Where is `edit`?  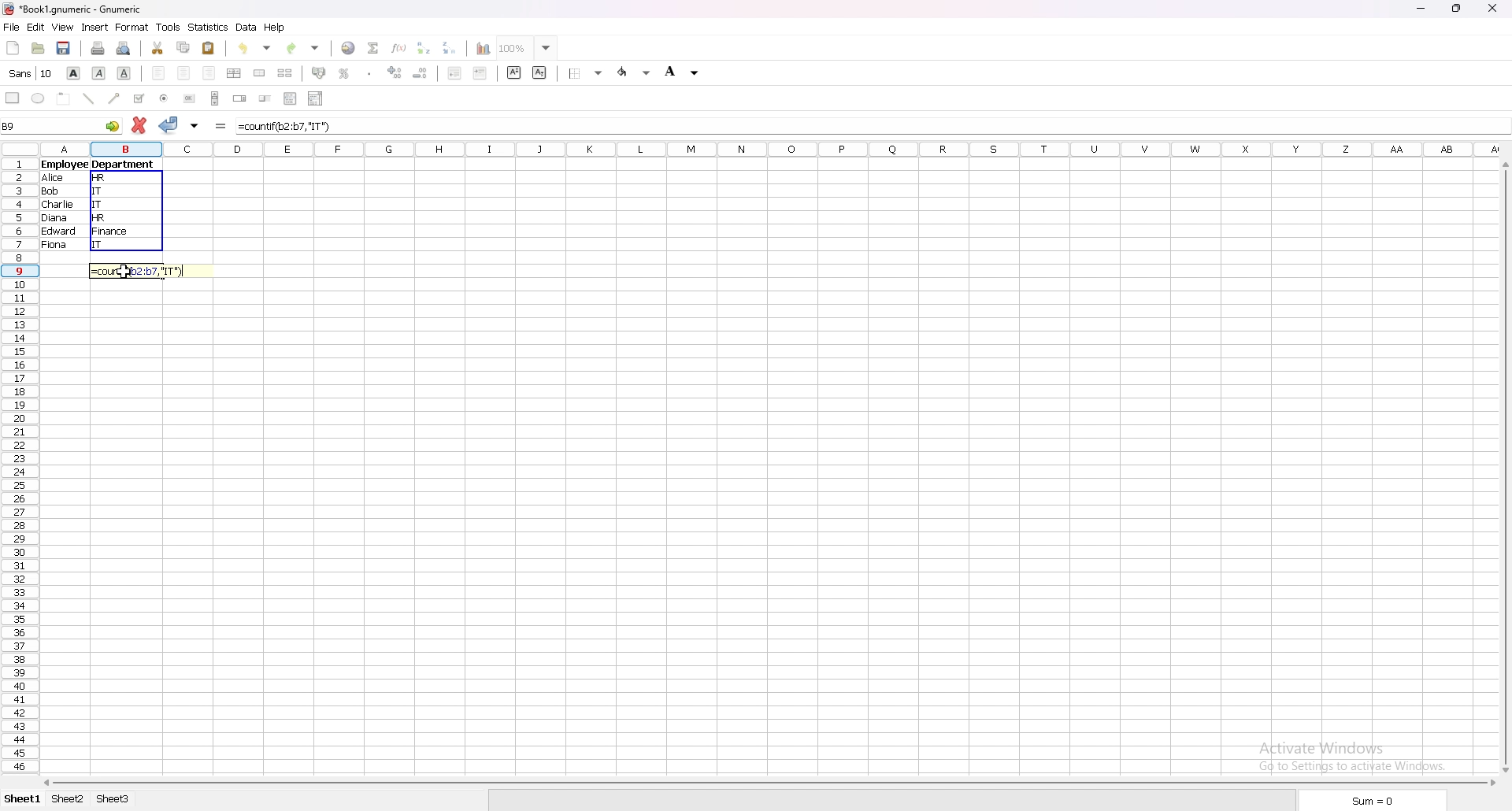 edit is located at coordinates (37, 27).